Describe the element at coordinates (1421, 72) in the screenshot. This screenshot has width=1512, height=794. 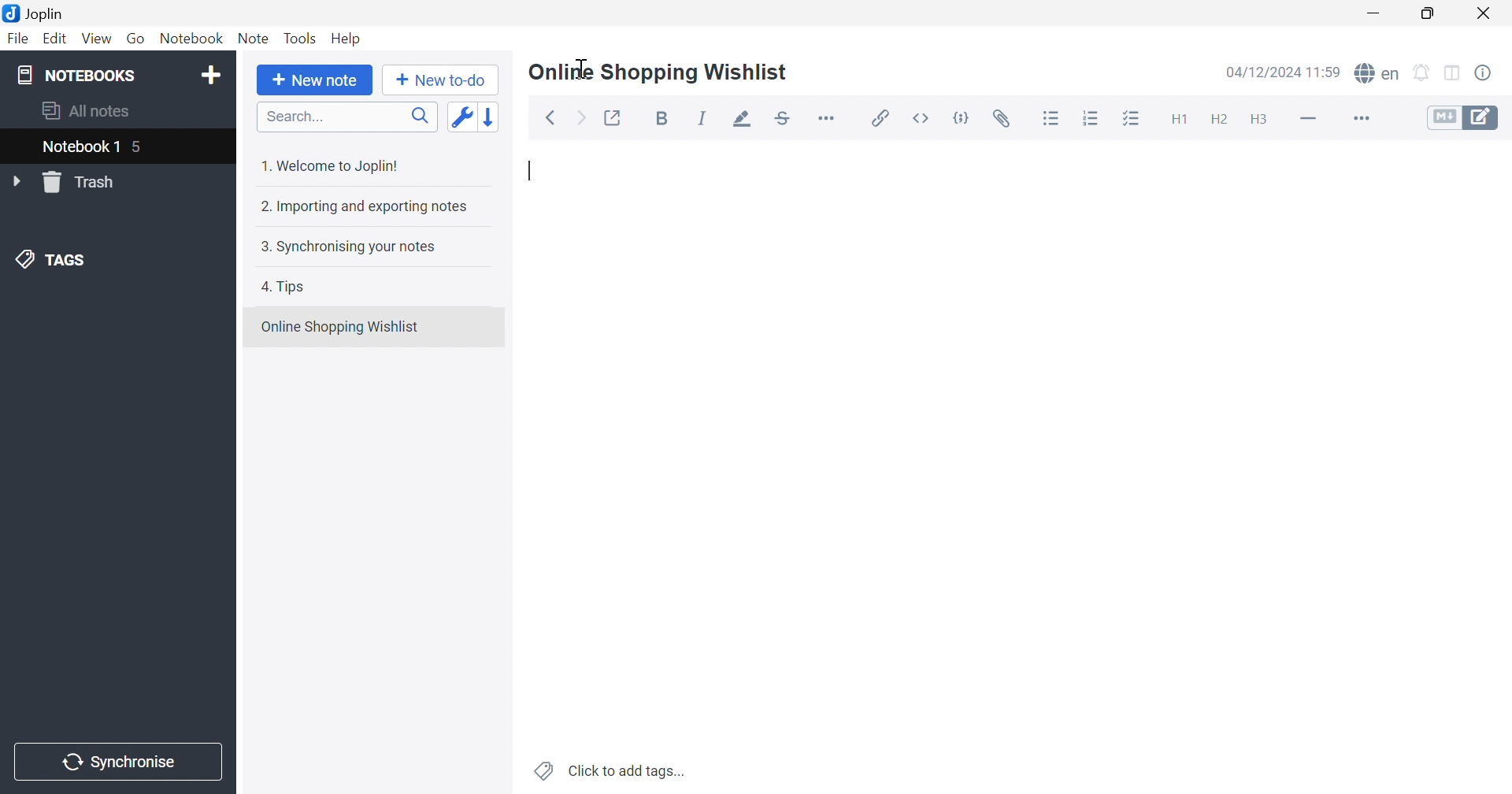
I see `Set alarm` at that location.